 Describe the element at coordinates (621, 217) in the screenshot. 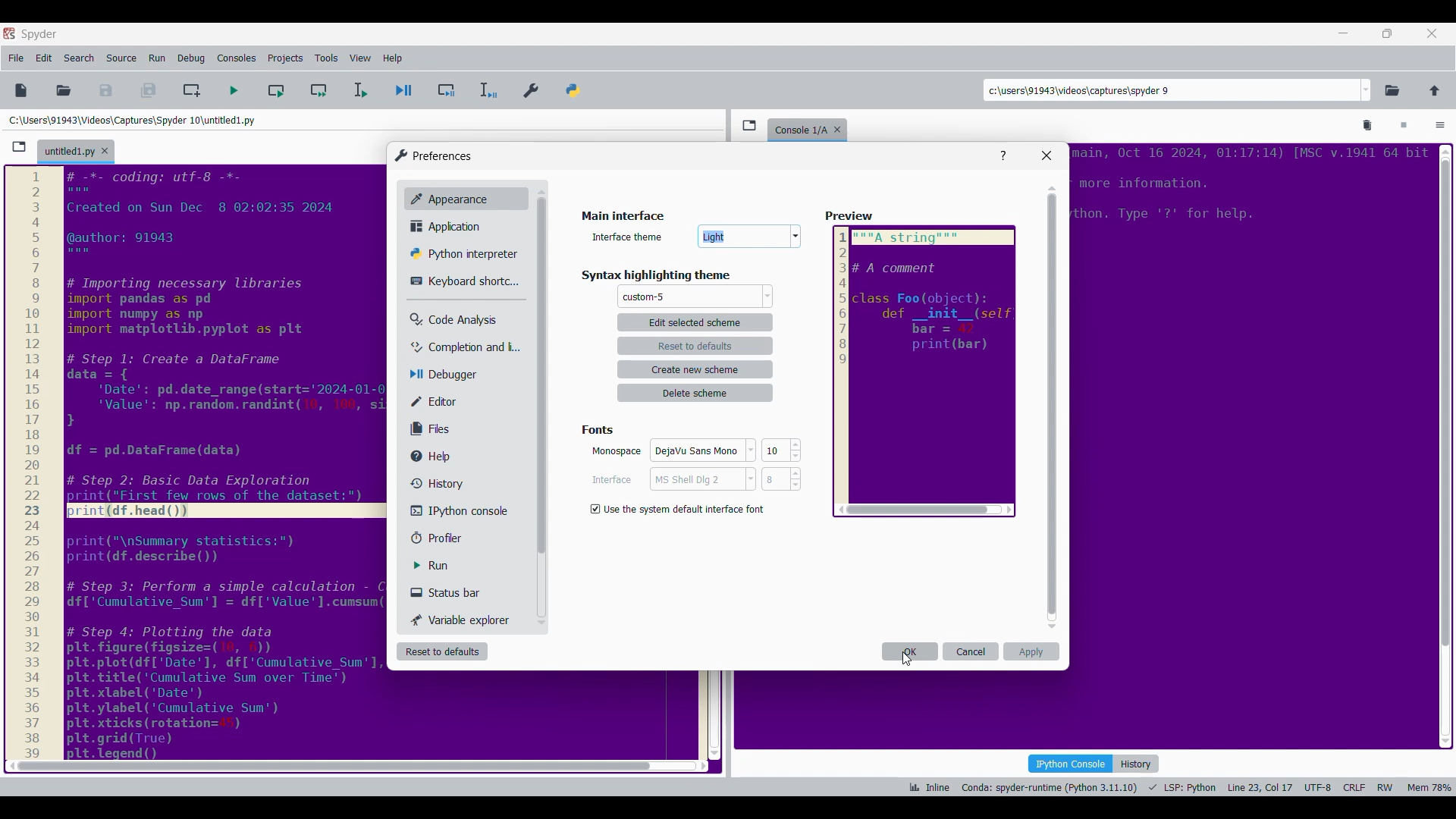

I see `Title of current window` at that location.